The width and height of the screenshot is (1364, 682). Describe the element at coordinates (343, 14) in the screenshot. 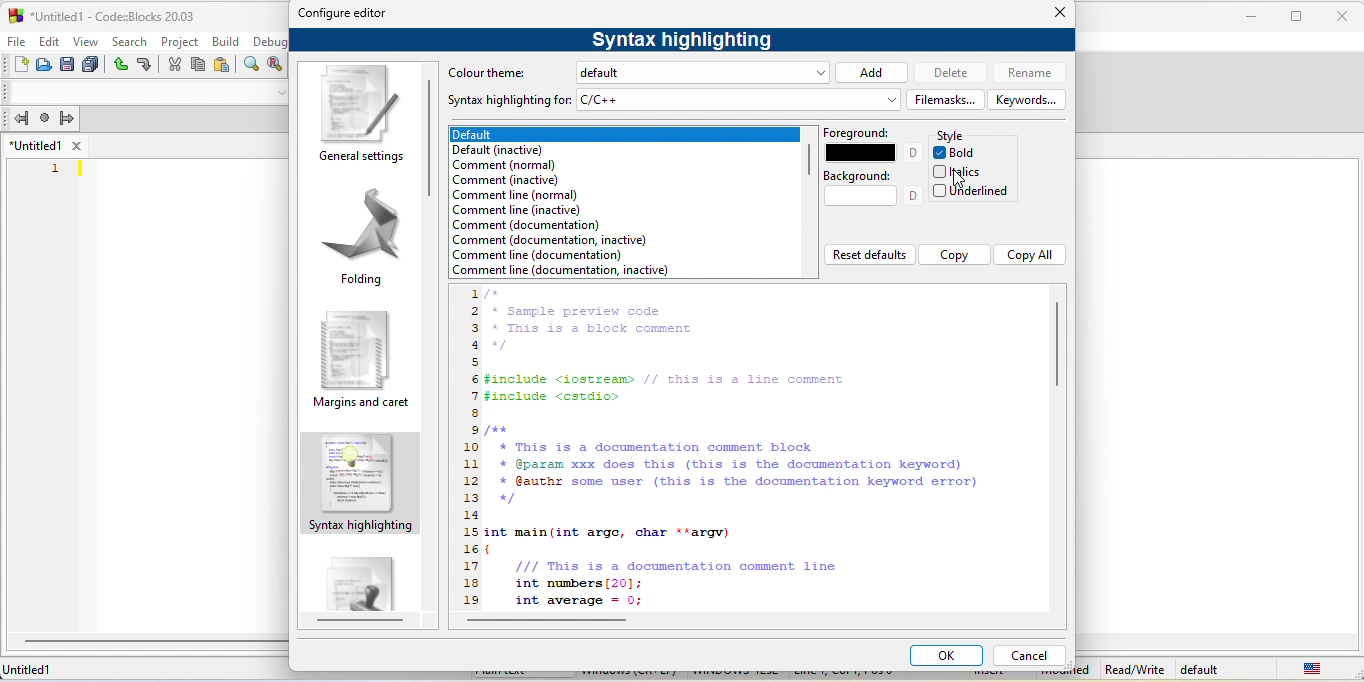

I see `Configure editor` at that location.